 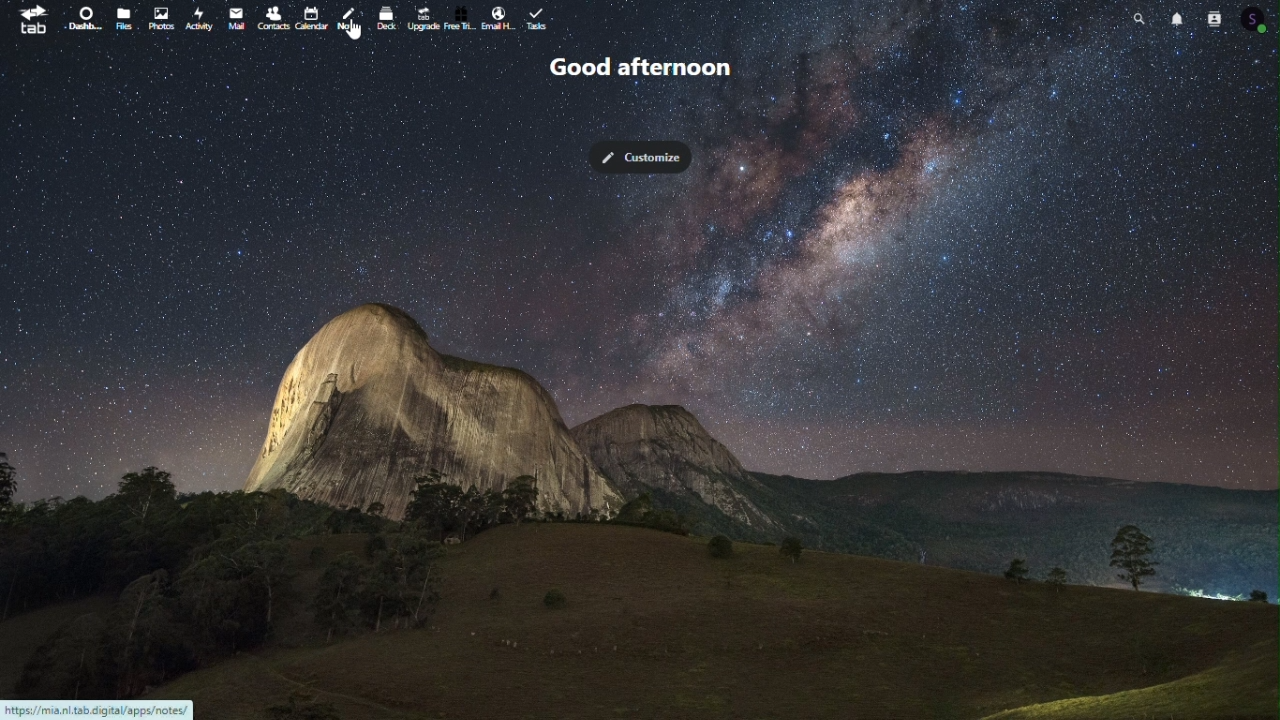 I want to click on URL, so click(x=104, y=708).